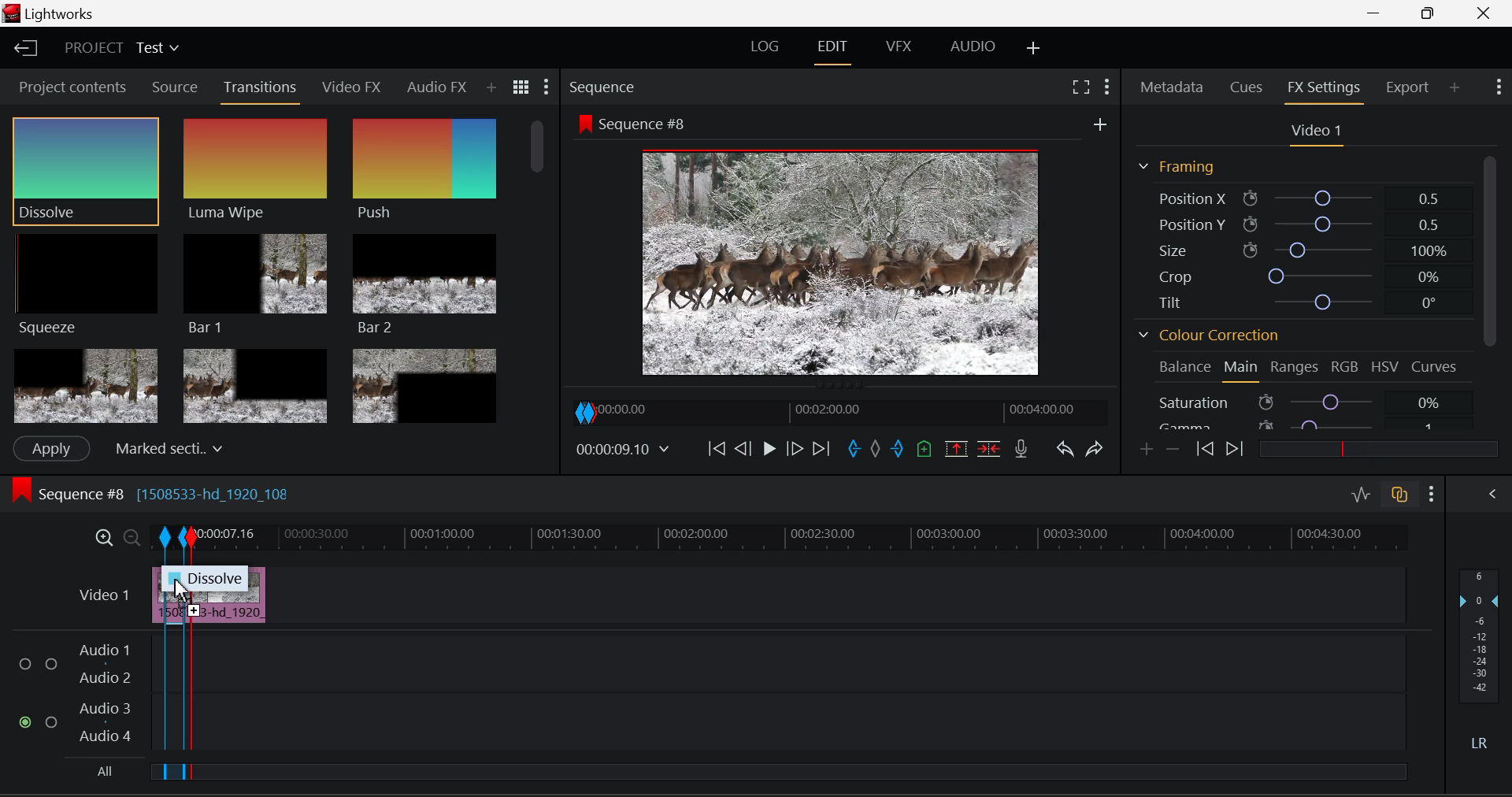 The image size is (1512, 797). Describe the element at coordinates (27, 50) in the screenshot. I see `Go to Homepage` at that location.